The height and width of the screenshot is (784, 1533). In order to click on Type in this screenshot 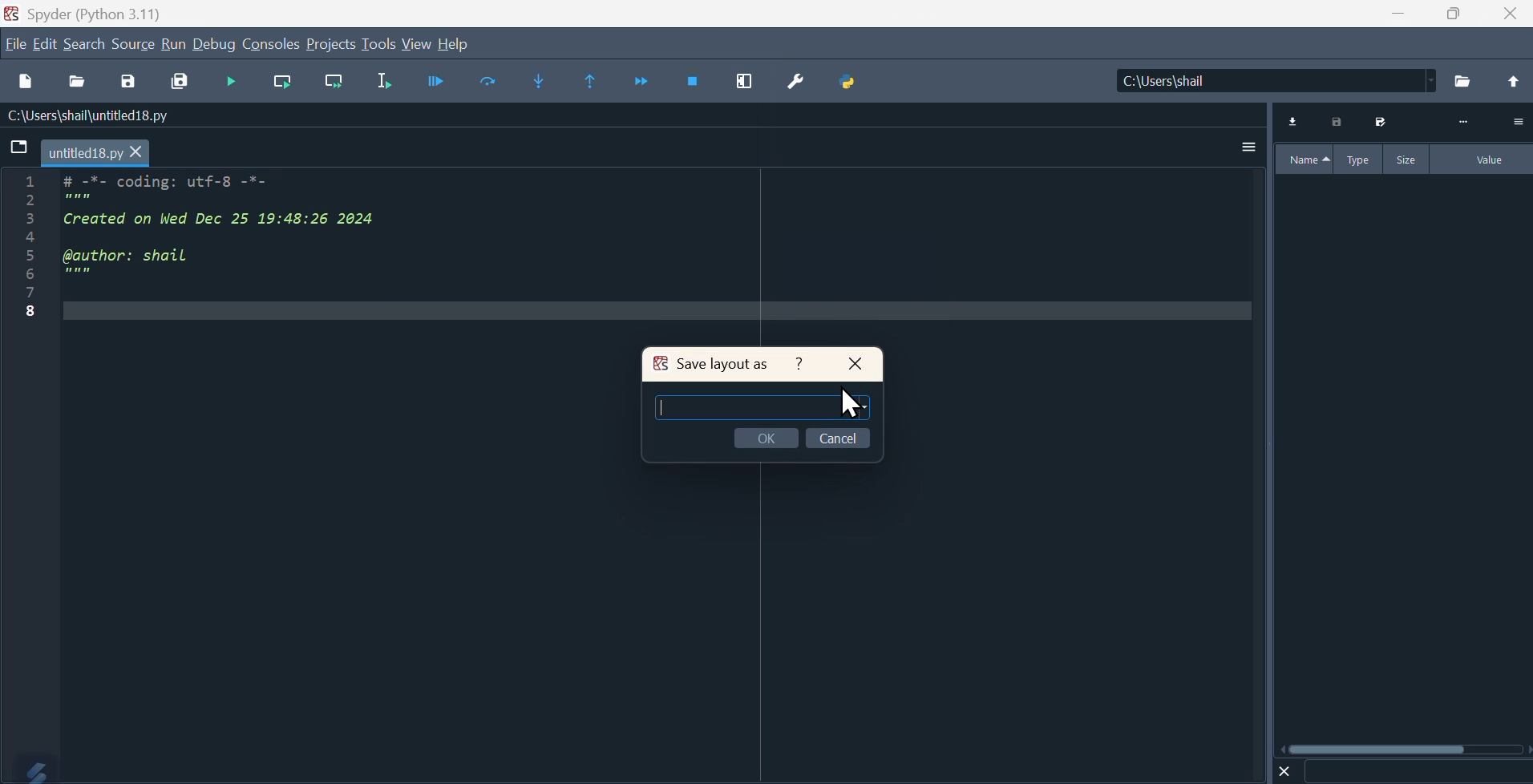, I will do `click(1361, 159)`.